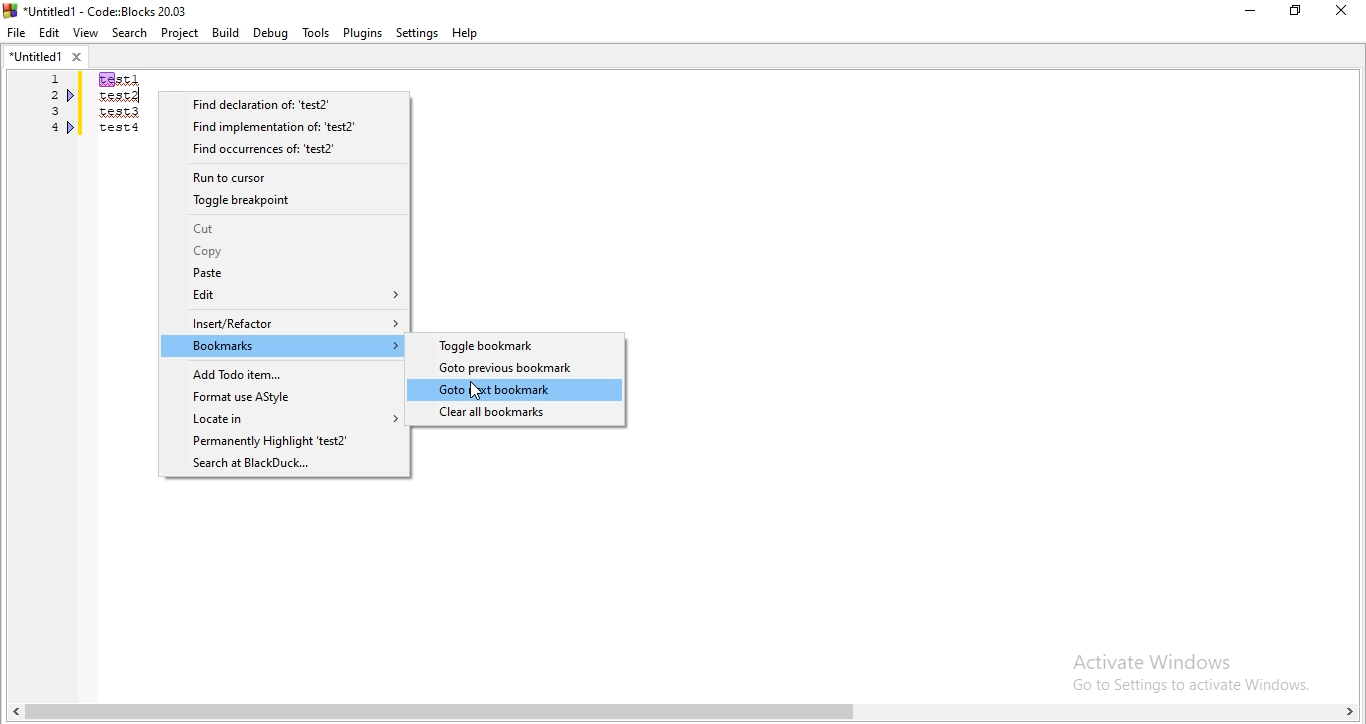 The height and width of the screenshot is (724, 1366). I want to click on Find declaration of: "test2" , so click(286, 103).